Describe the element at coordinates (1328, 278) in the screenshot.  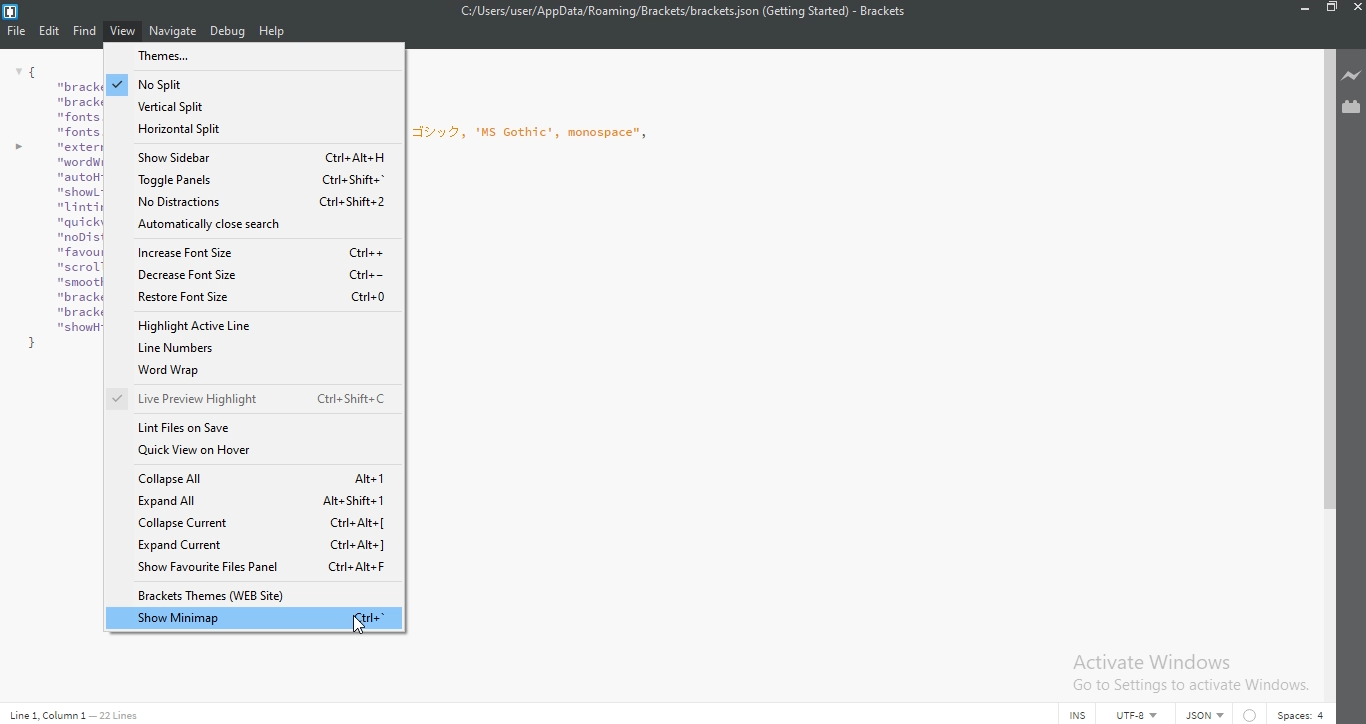
I see `scroll bar` at that location.